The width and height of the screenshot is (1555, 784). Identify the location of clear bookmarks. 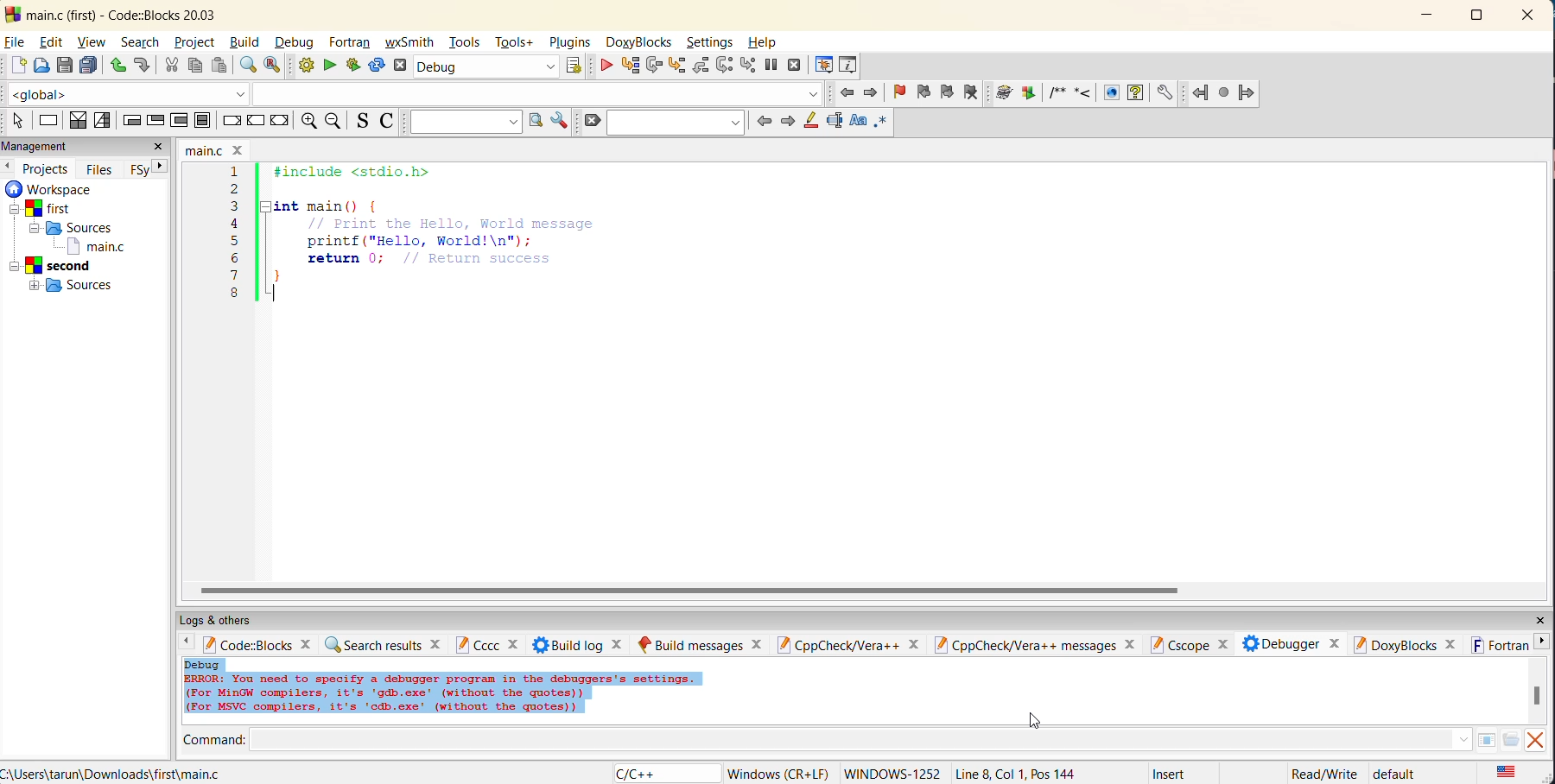
(974, 92).